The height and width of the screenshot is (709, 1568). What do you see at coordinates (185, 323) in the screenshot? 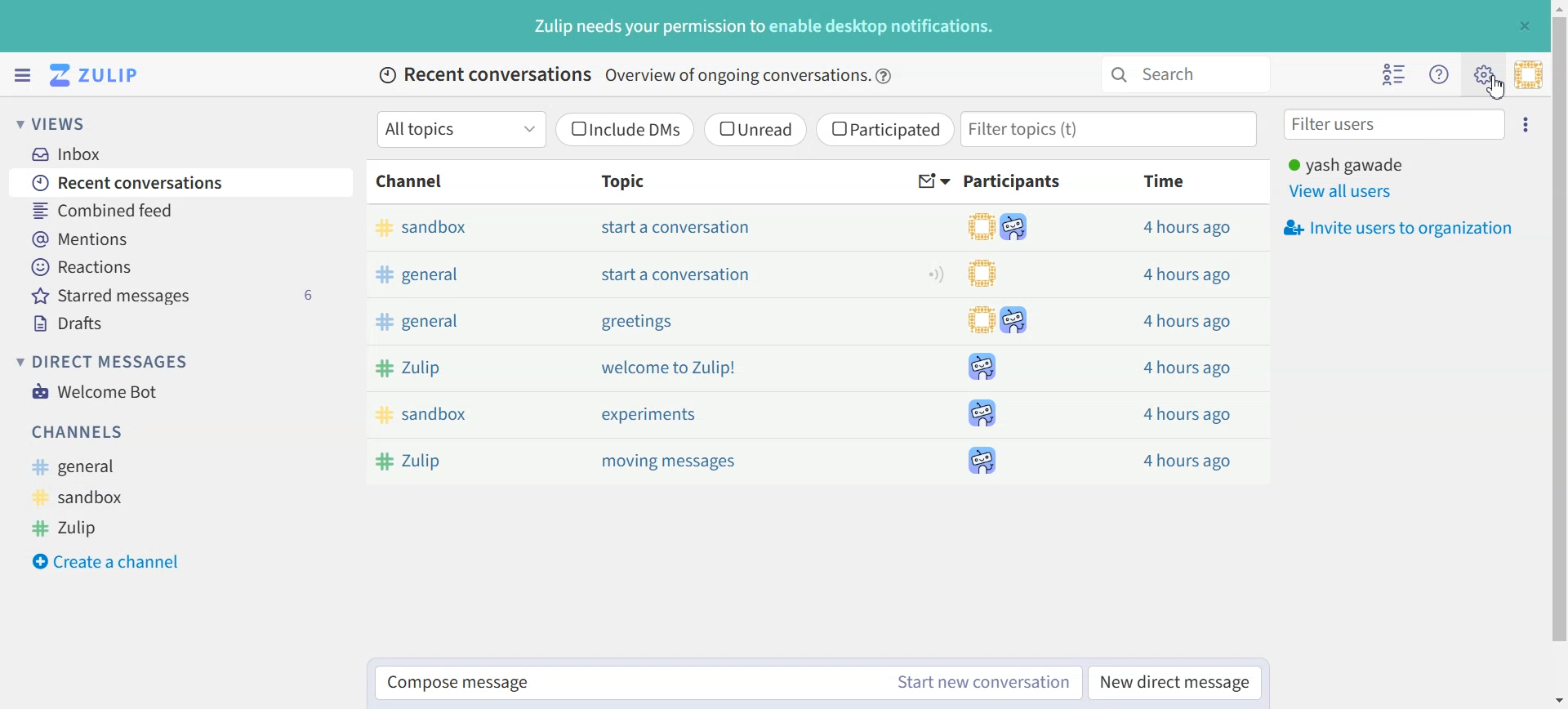
I see `Drafts` at bounding box center [185, 323].